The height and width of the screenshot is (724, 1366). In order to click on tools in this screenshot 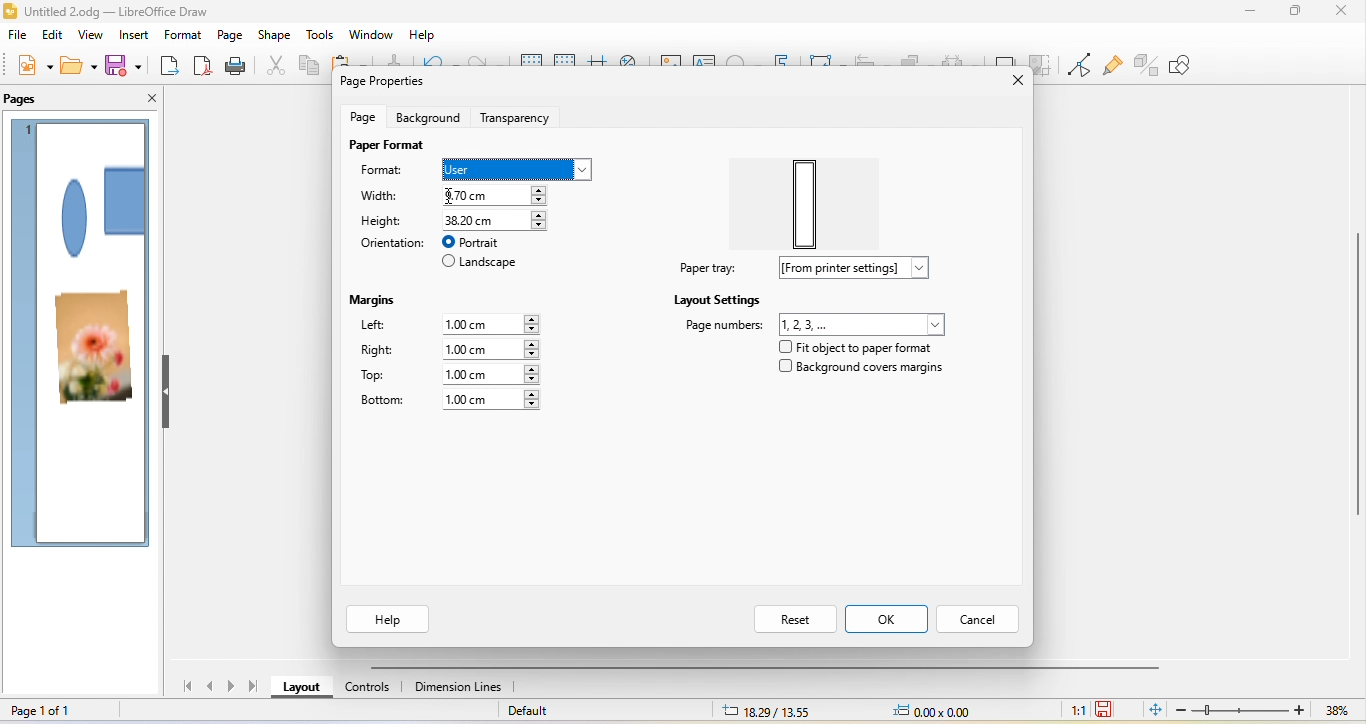, I will do `click(320, 33)`.